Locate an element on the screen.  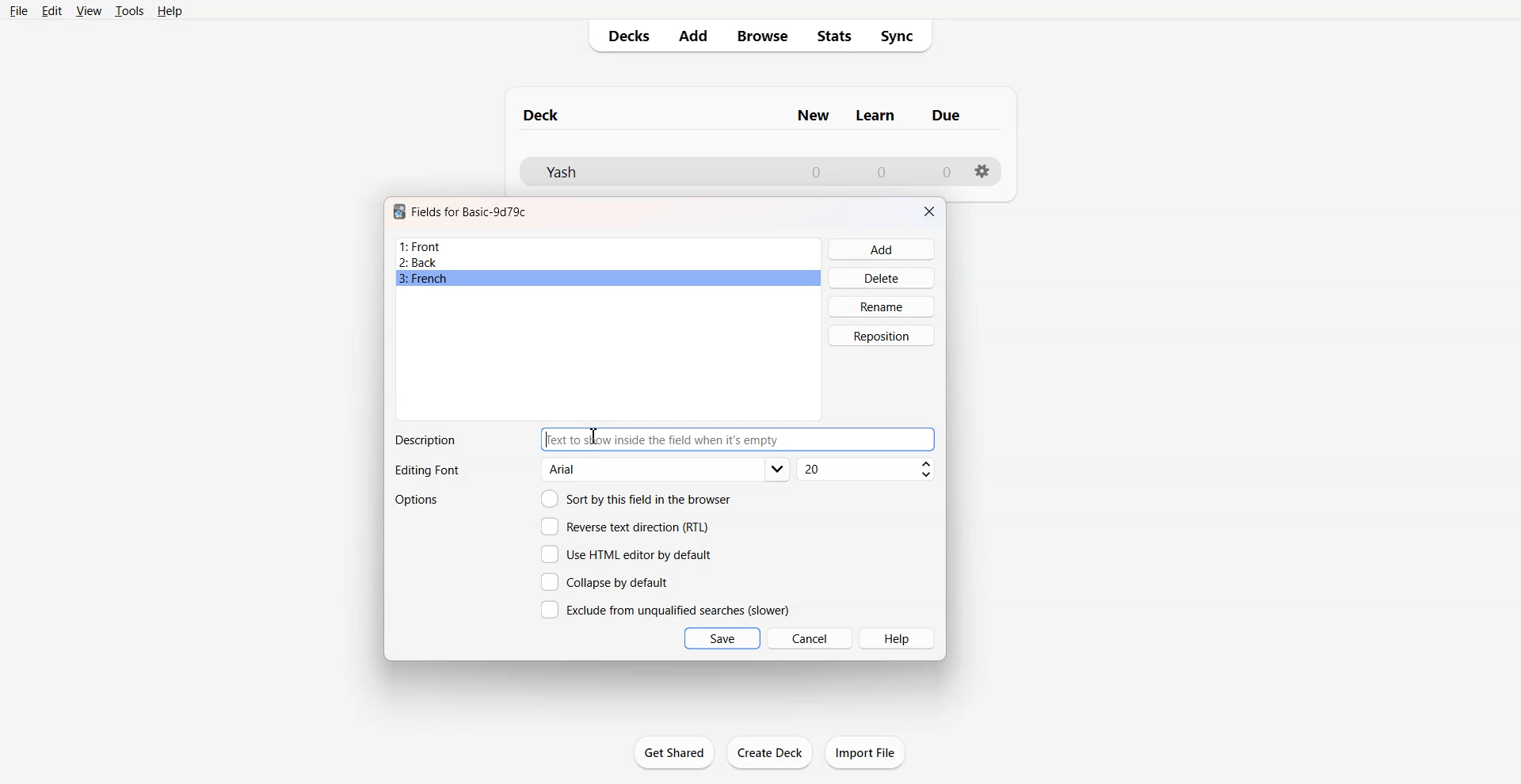
Edit is located at coordinates (51, 11).